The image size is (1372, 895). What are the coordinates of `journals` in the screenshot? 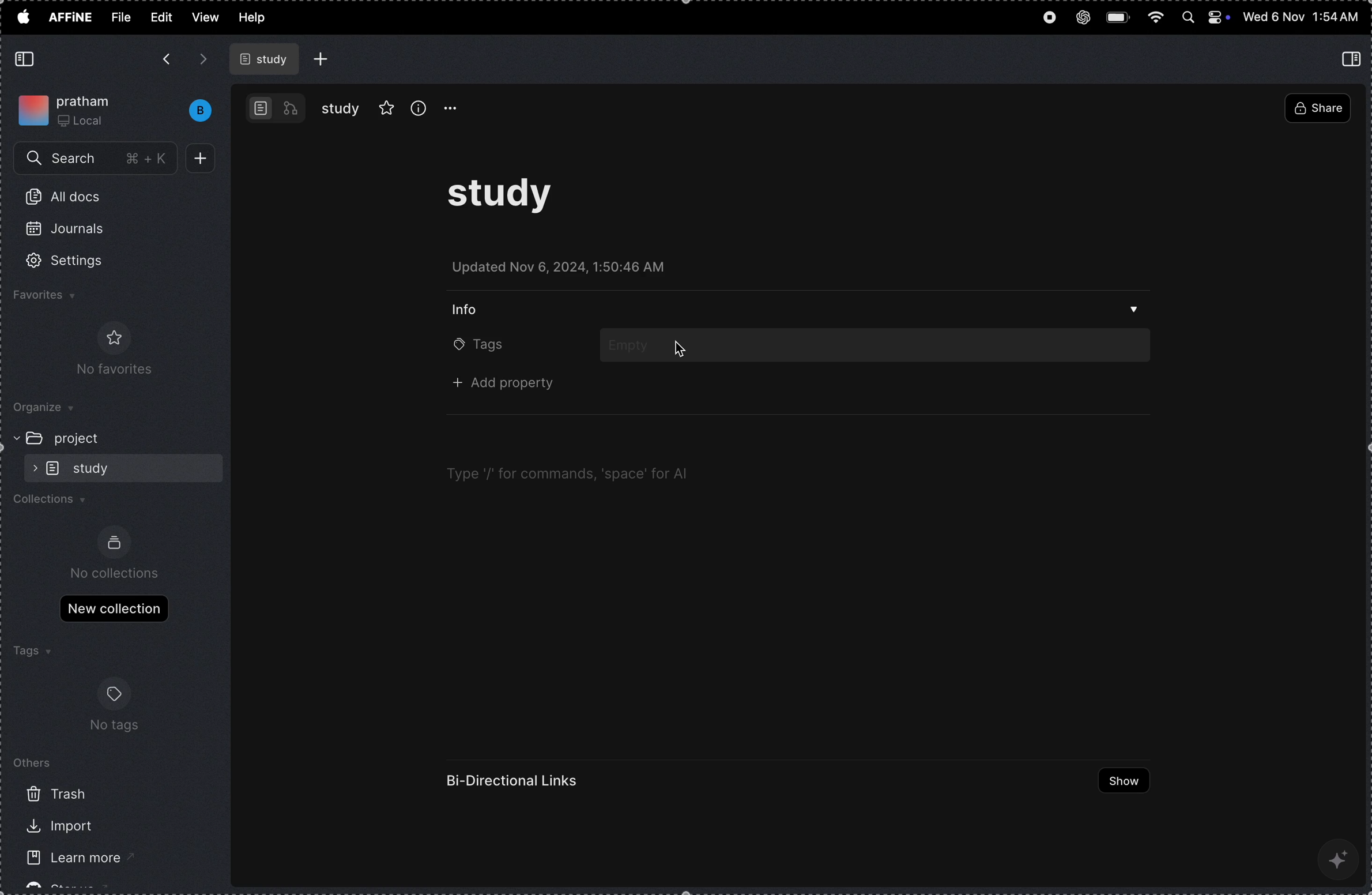 It's located at (73, 234).